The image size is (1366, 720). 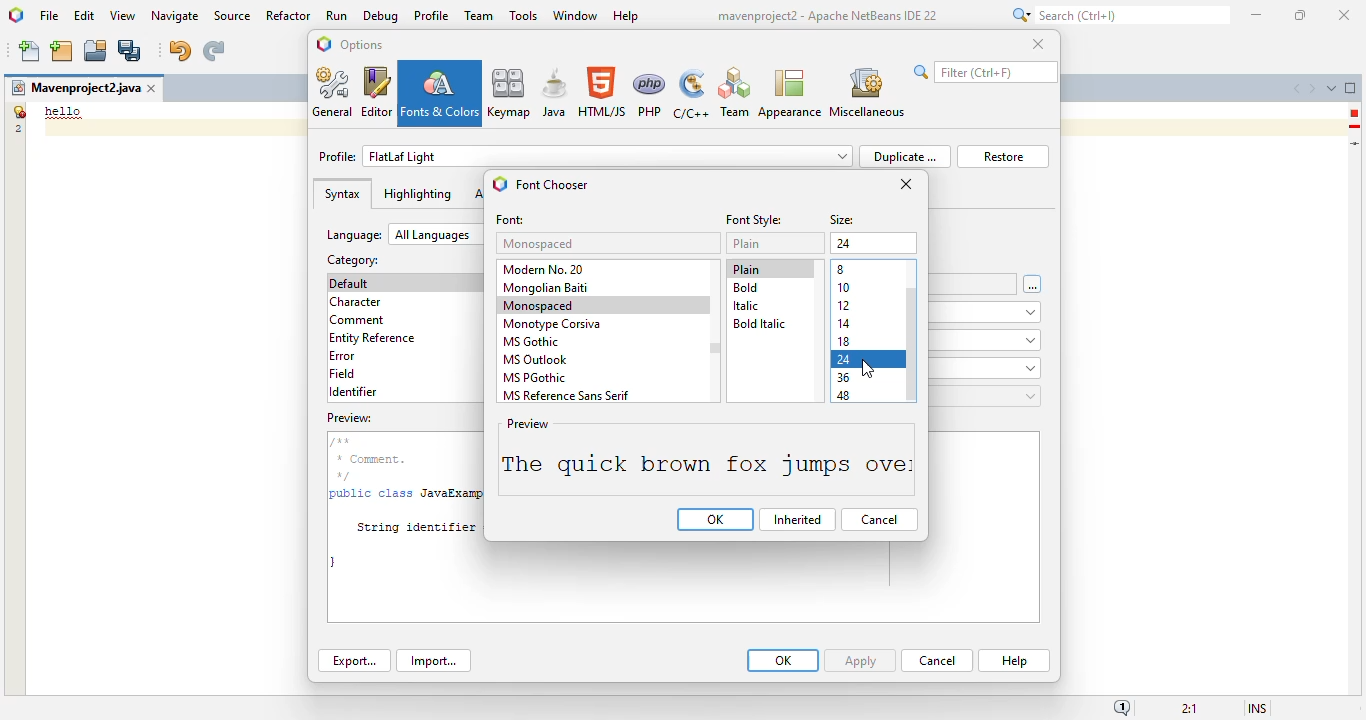 What do you see at coordinates (353, 392) in the screenshot?
I see `identifier` at bounding box center [353, 392].